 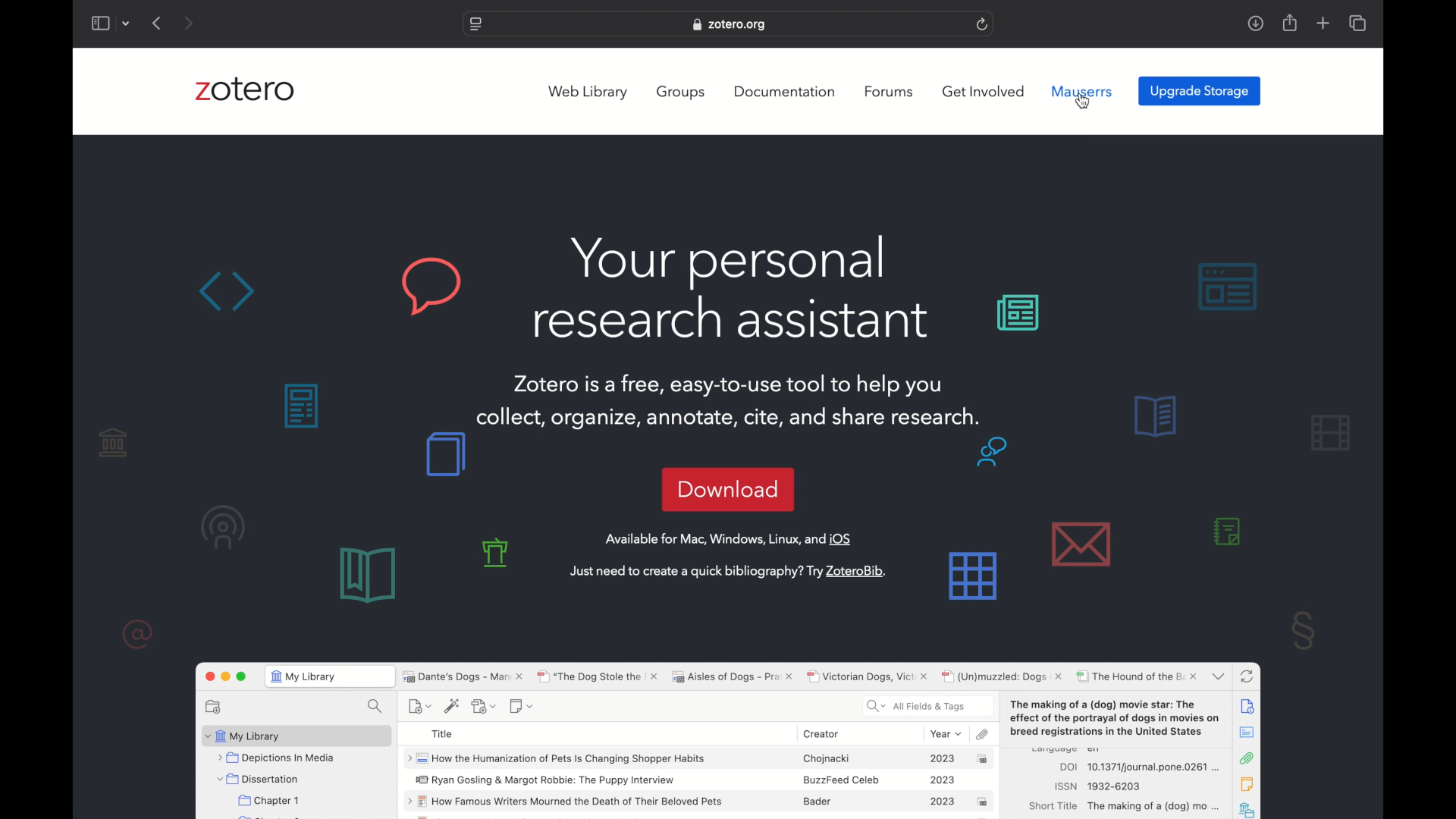 I want to click on background graphics, so click(x=169, y=537).